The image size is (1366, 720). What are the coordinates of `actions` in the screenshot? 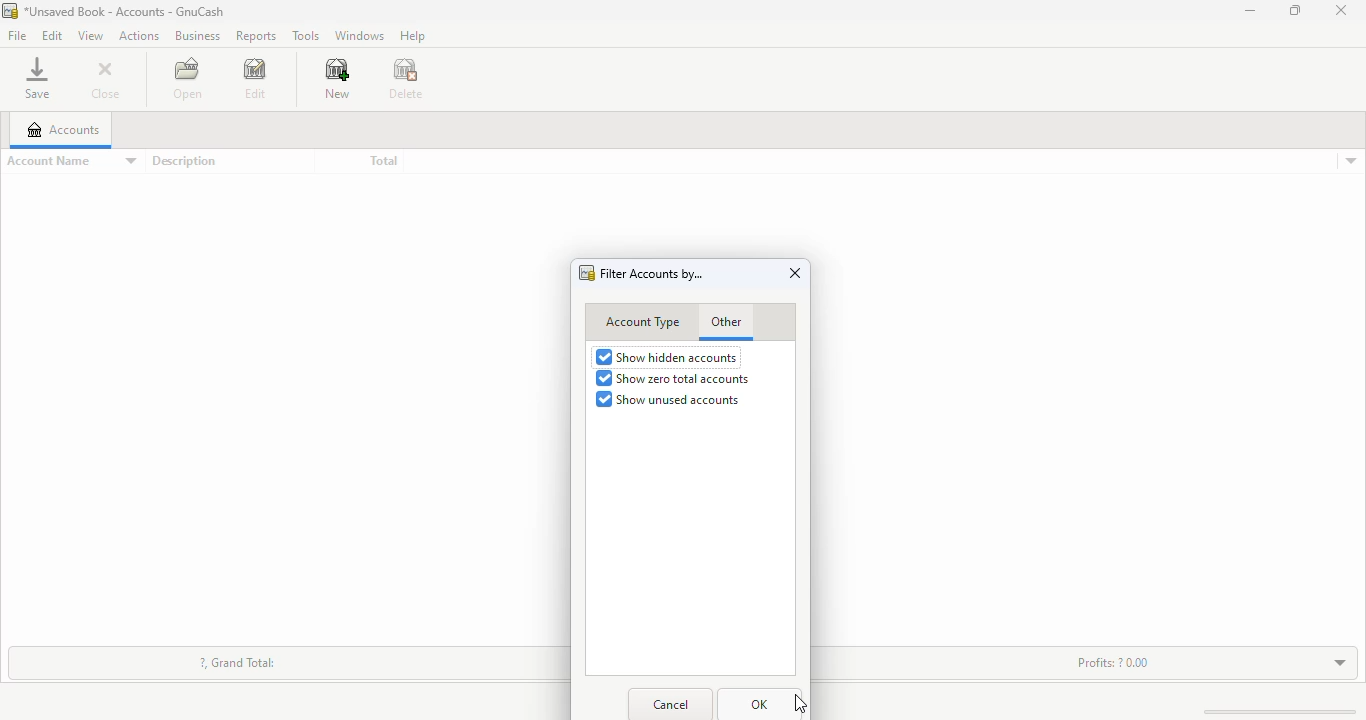 It's located at (139, 35).